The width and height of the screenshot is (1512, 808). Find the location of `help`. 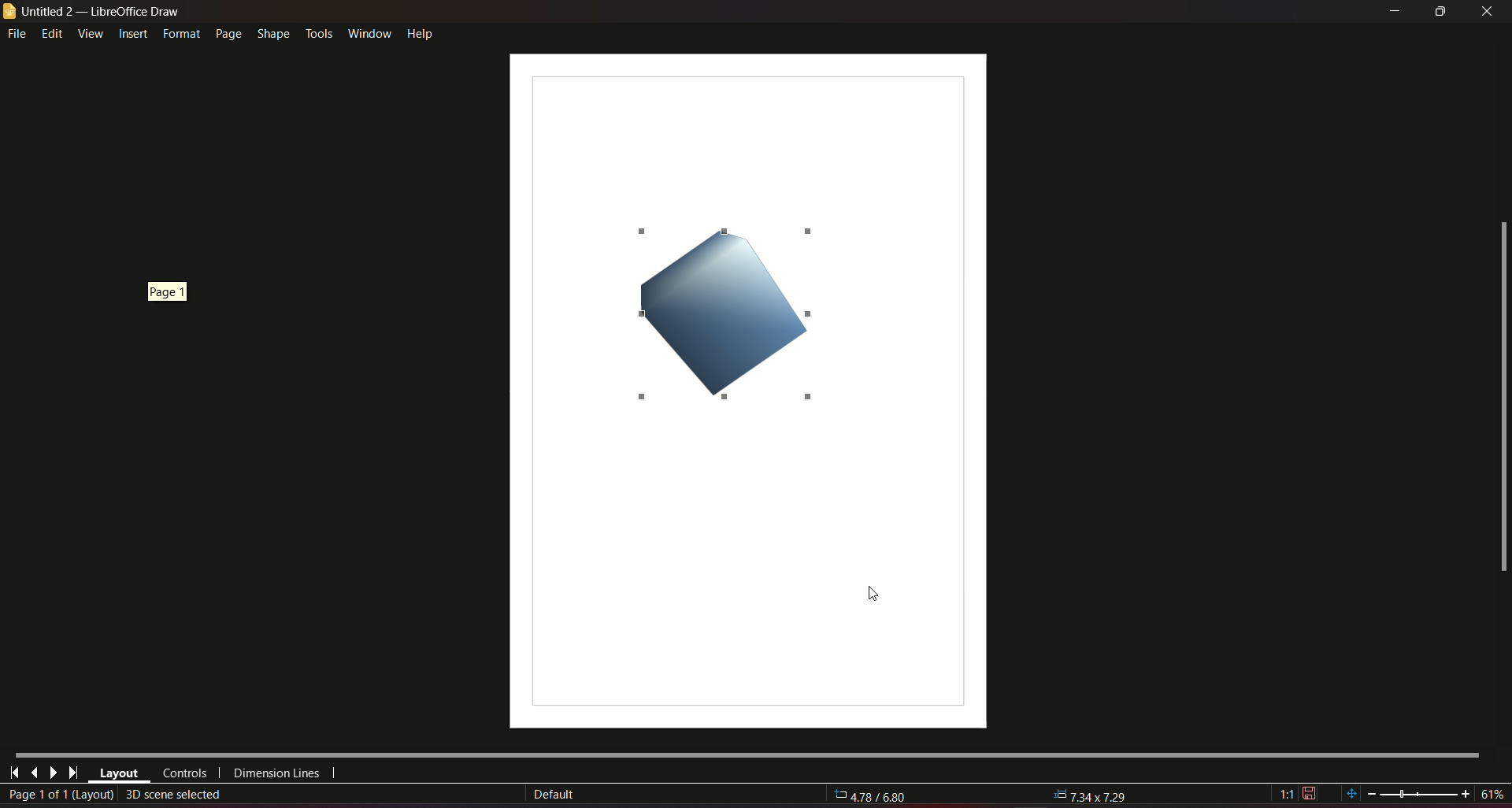

help is located at coordinates (421, 32).